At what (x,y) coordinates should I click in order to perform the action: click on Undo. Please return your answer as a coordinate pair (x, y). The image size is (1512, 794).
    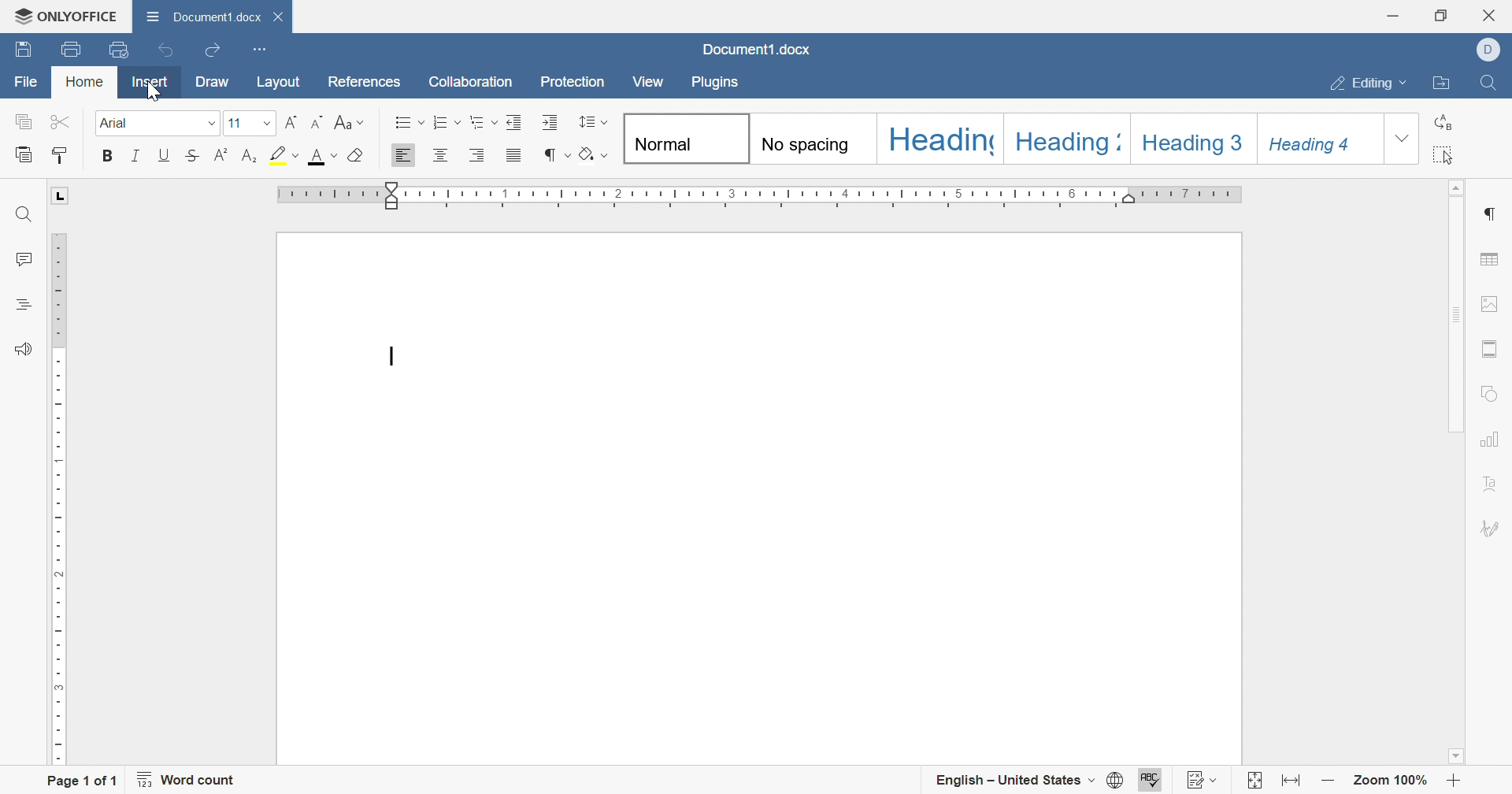
    Looking at the image, I should click on (162, 50).